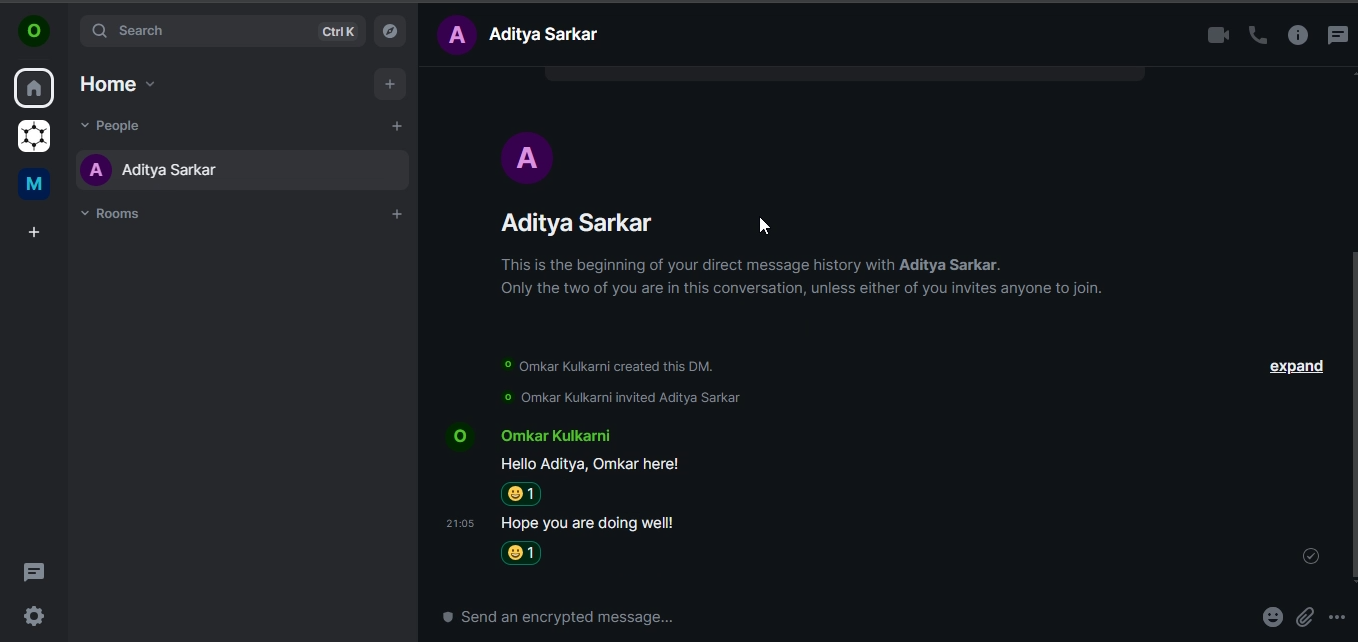 The width and height of the screenshot is (1358, 642). Describe the element at coordinates (223, 32) in the screenshot. I see `search` at that location.